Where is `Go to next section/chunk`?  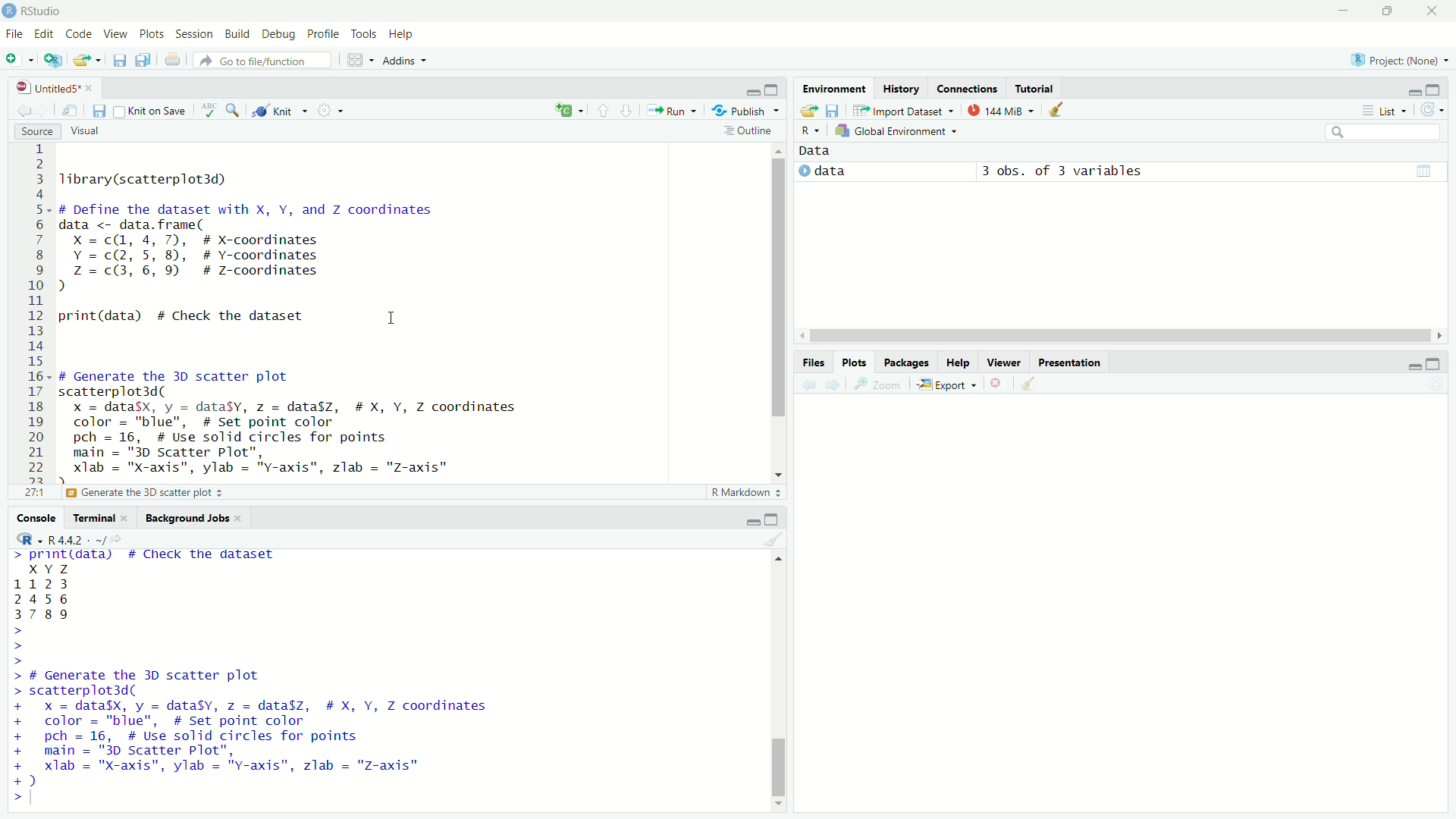 Go to next section/chunk is located at coordinates (629, 110).